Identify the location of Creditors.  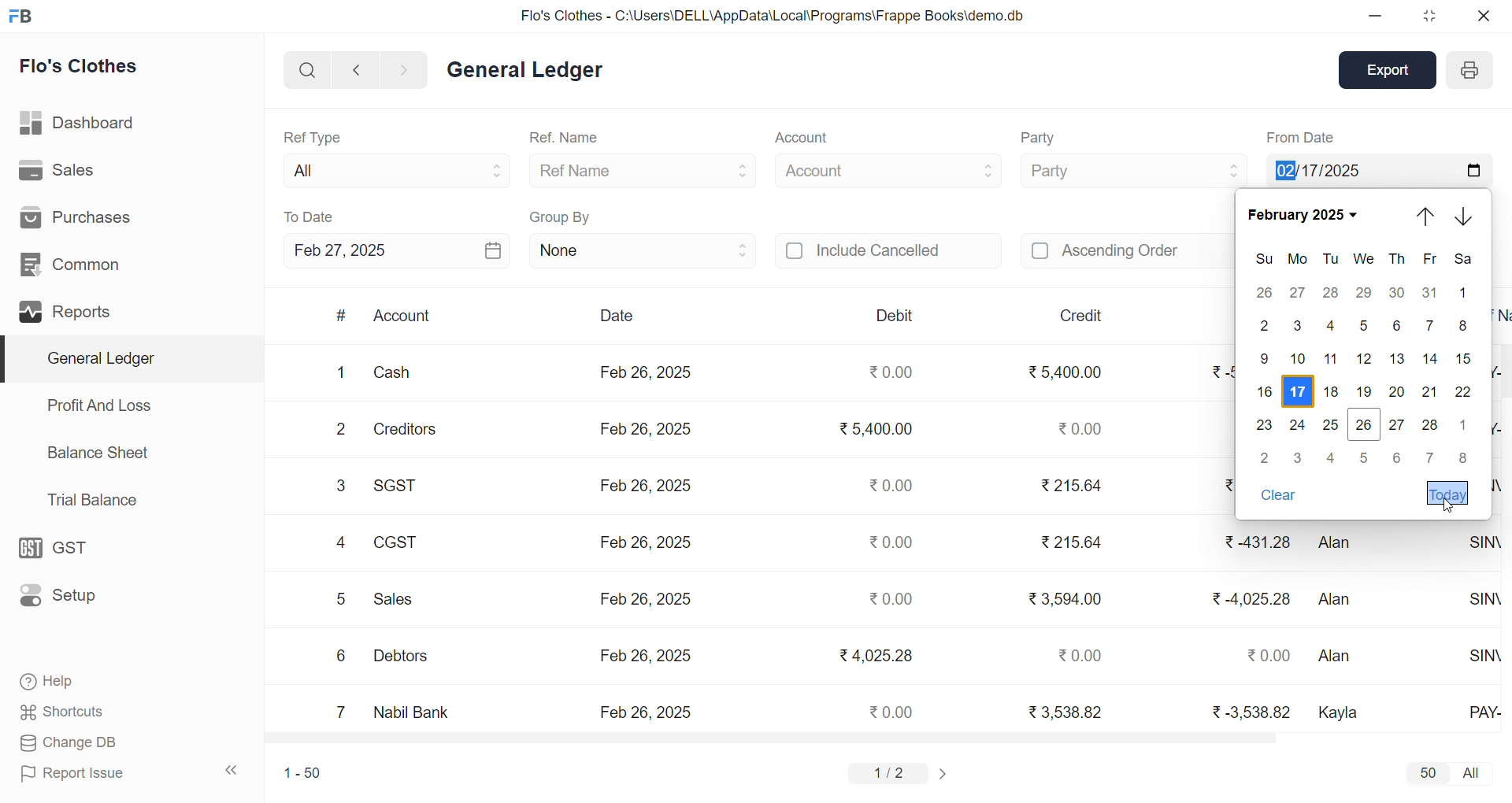
(409, 427).